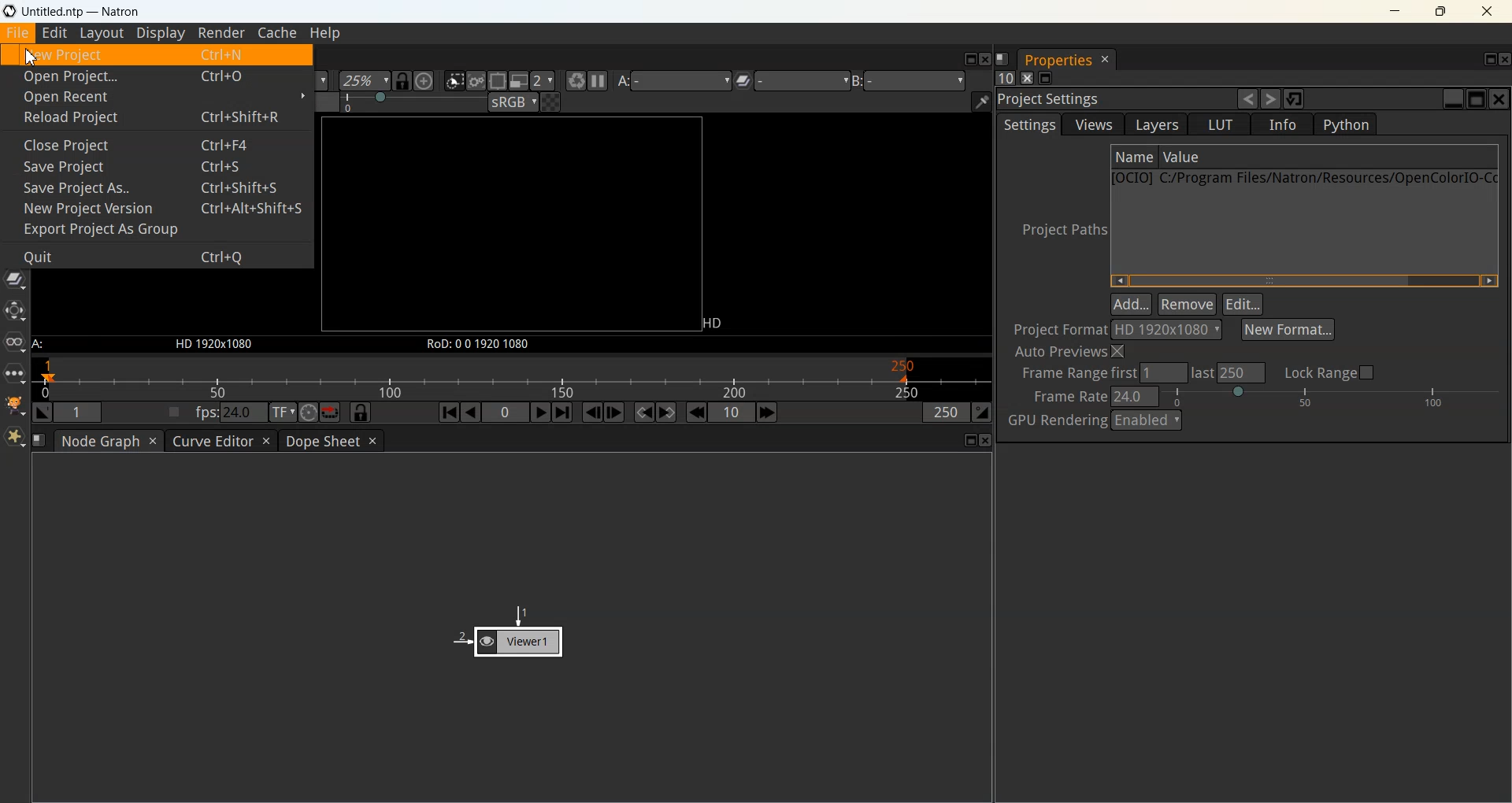 The image size is (1512, 803). What do you see at coordinates (646, 413) in the screenshot?
I see `Previous keyframe` at bounding box center [646, 413].